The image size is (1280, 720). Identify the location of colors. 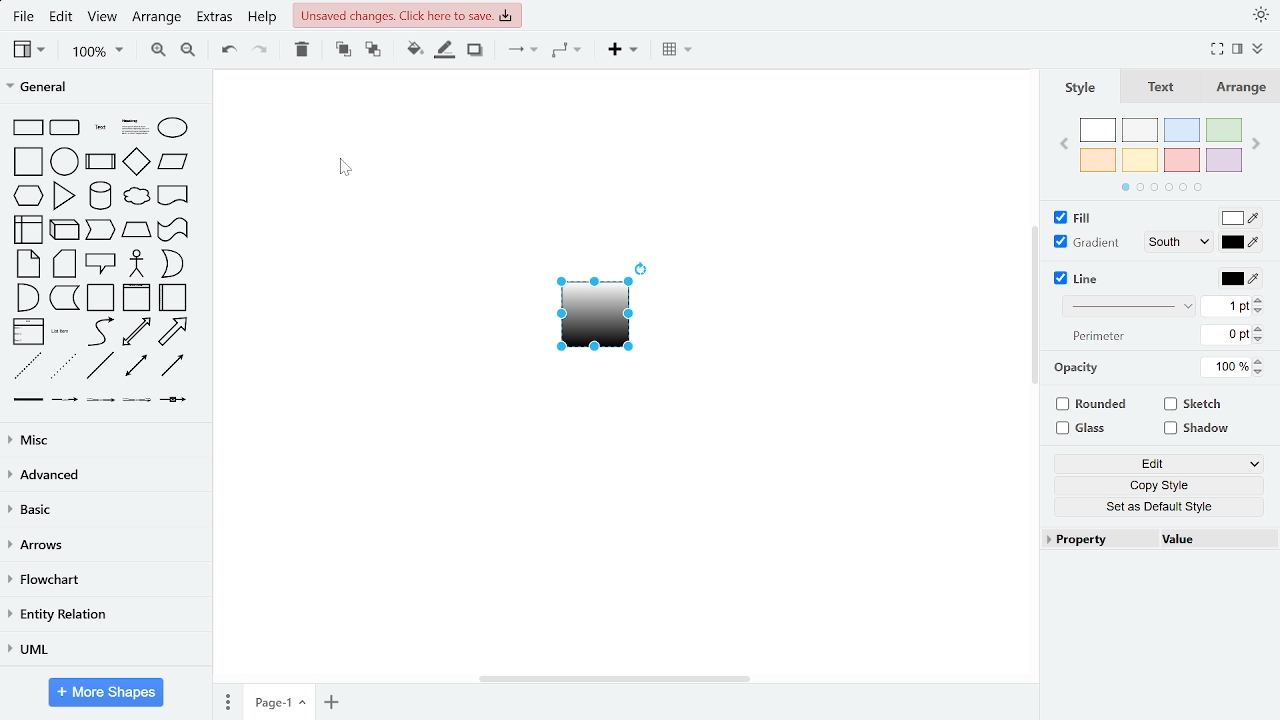
(1158, 151).